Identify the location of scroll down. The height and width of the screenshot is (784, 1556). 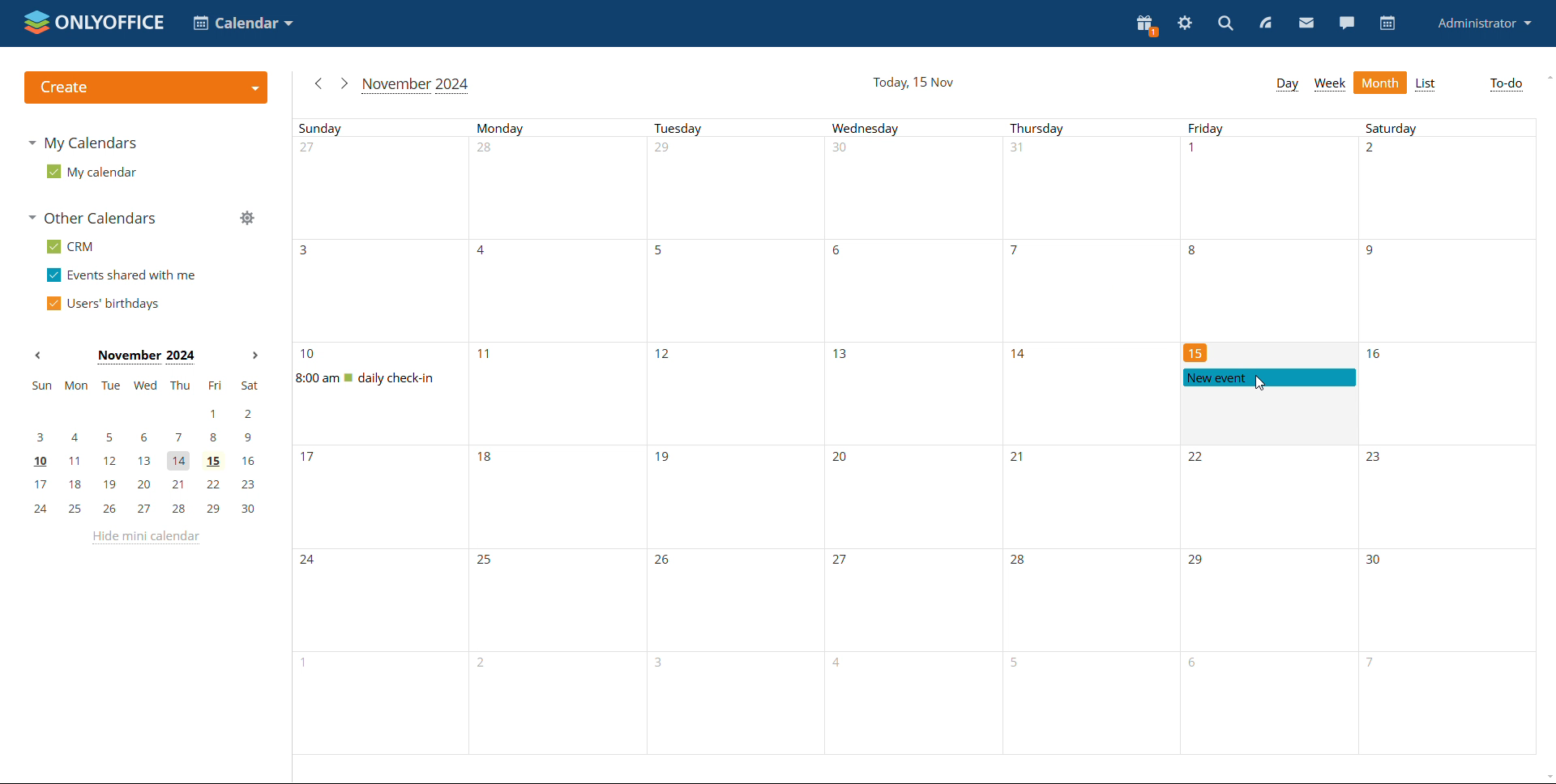
(1537, 772).